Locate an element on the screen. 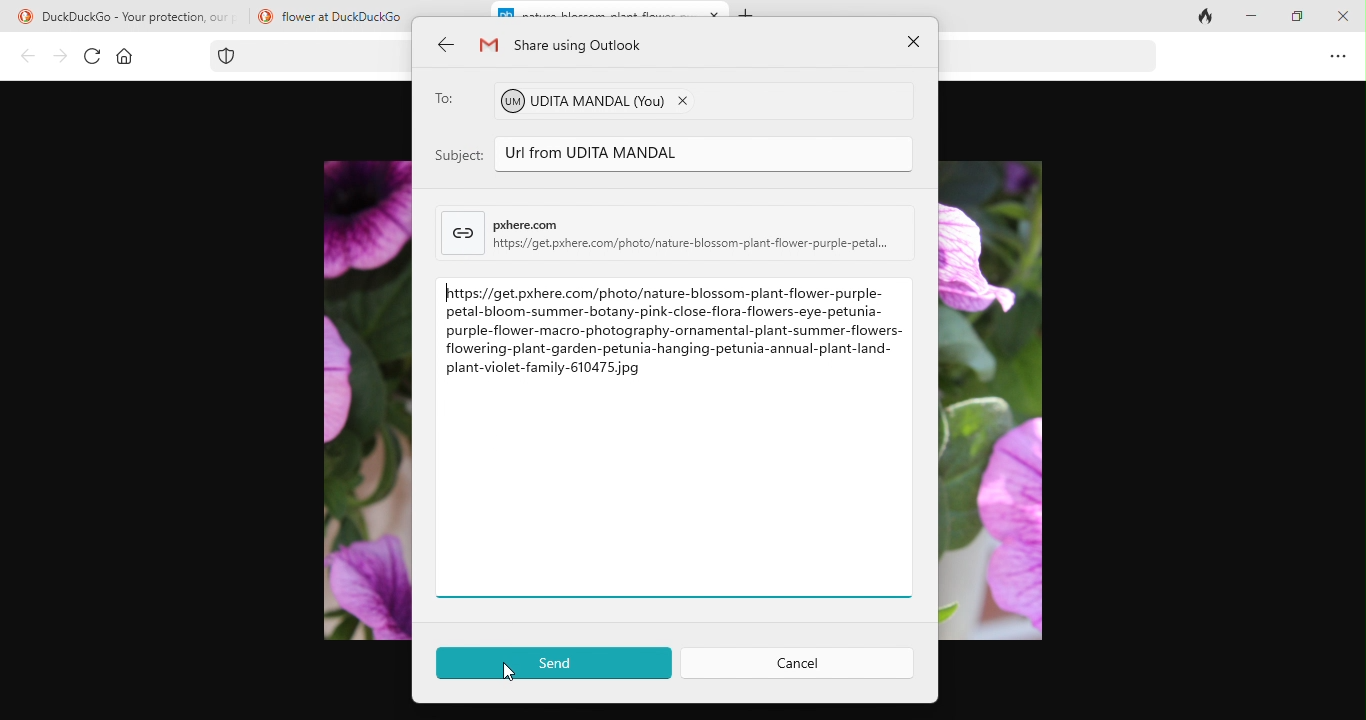 The width and height of the screenshot is (1366, 720). forward is located at coordinates (57, 56).